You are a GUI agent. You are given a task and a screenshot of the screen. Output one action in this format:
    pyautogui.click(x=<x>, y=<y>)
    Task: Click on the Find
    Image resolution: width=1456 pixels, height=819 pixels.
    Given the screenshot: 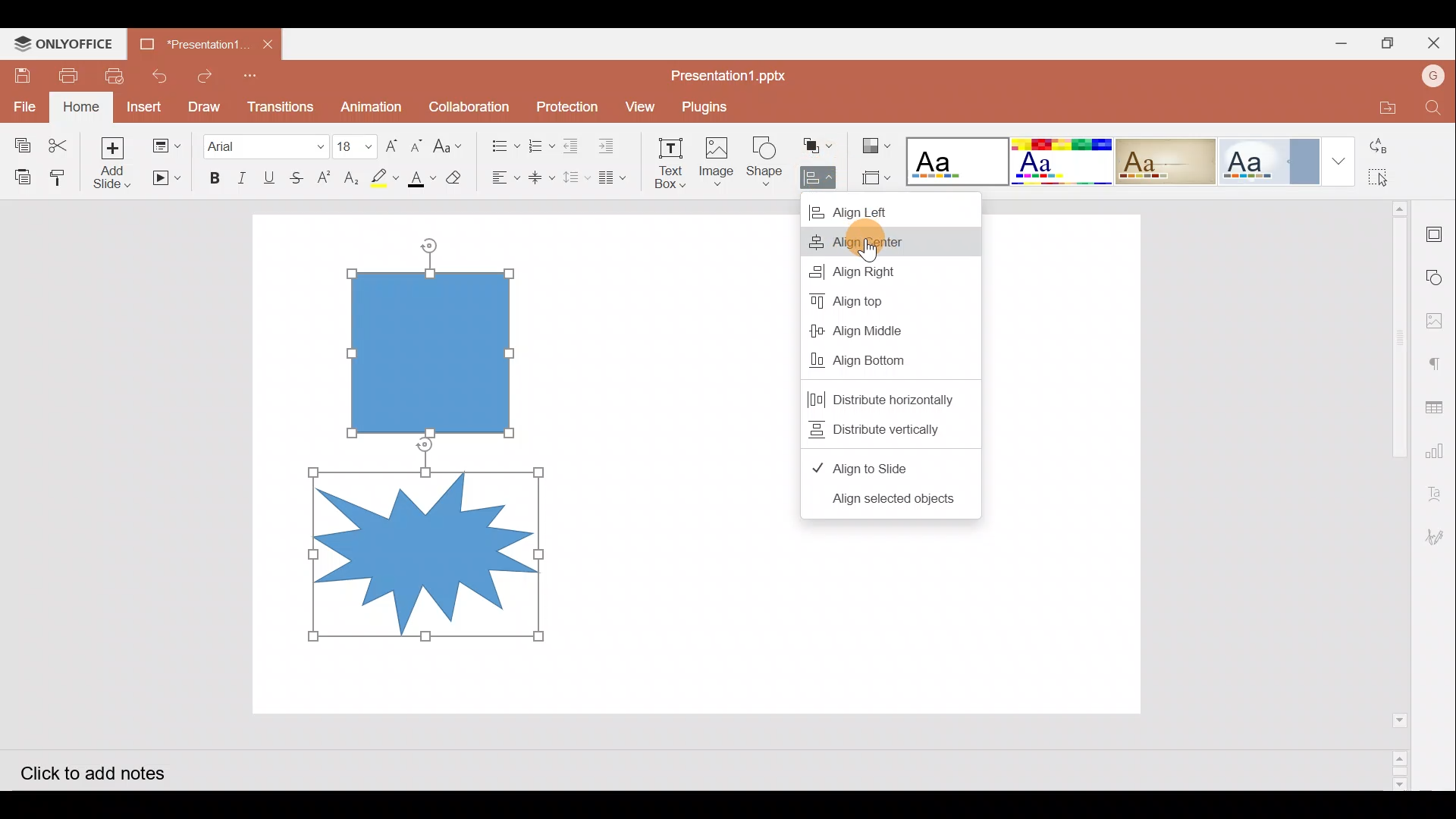 What is the action you would take?
    pyautogui.click(x=1434, y=108)
    